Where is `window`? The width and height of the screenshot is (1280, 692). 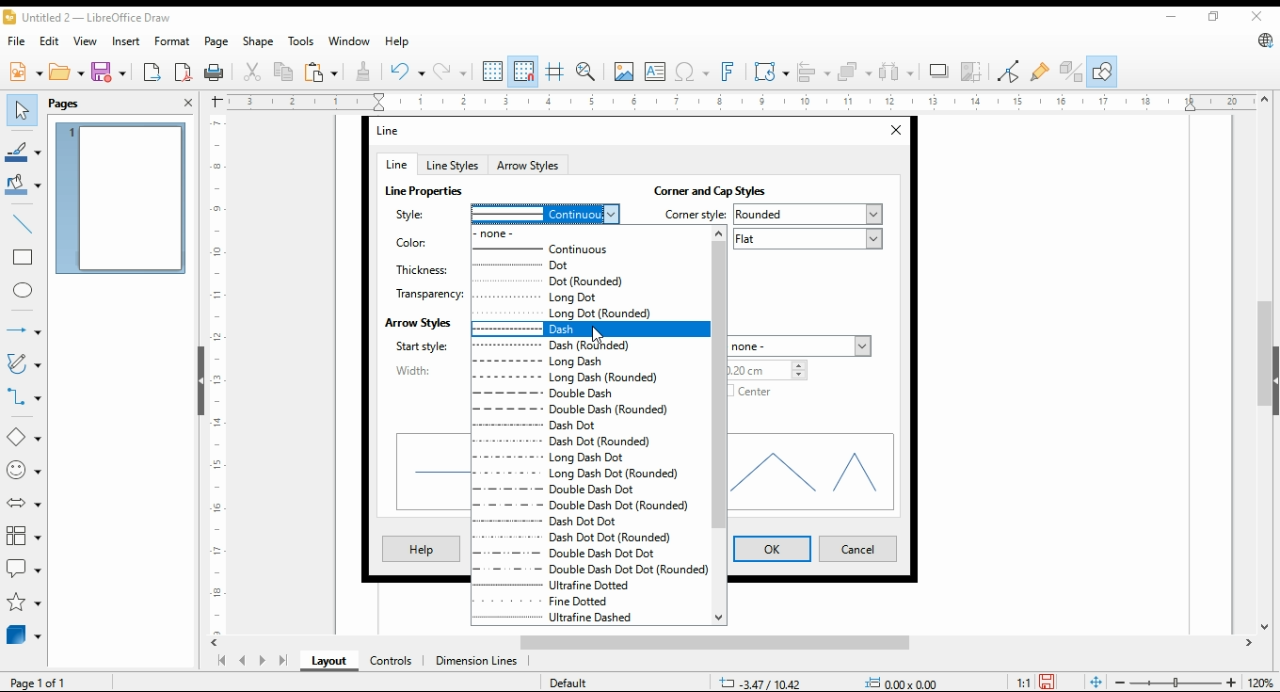 window is located at coordinates (348, 41).